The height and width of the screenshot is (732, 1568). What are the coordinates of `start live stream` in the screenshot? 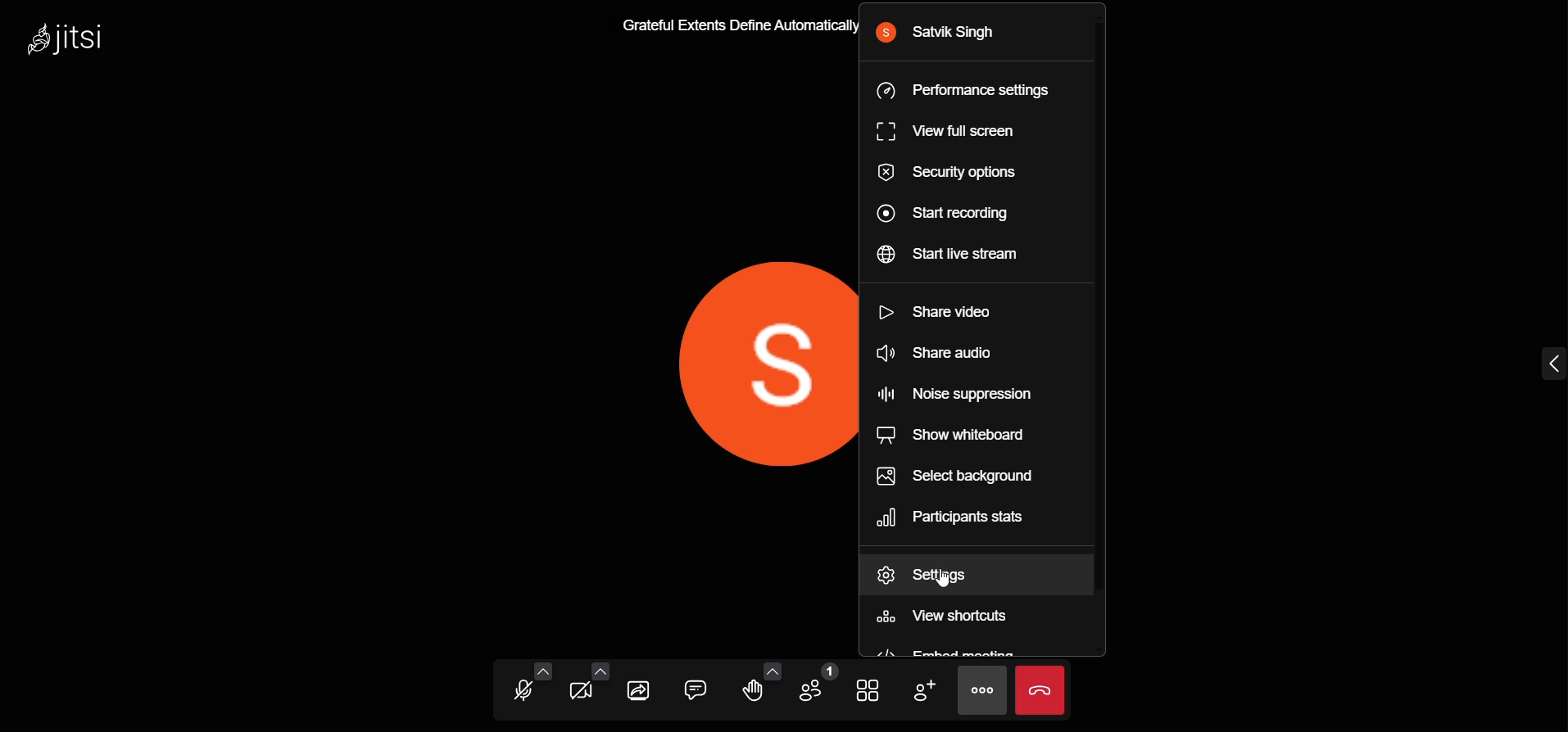 It's located at (942, 258).